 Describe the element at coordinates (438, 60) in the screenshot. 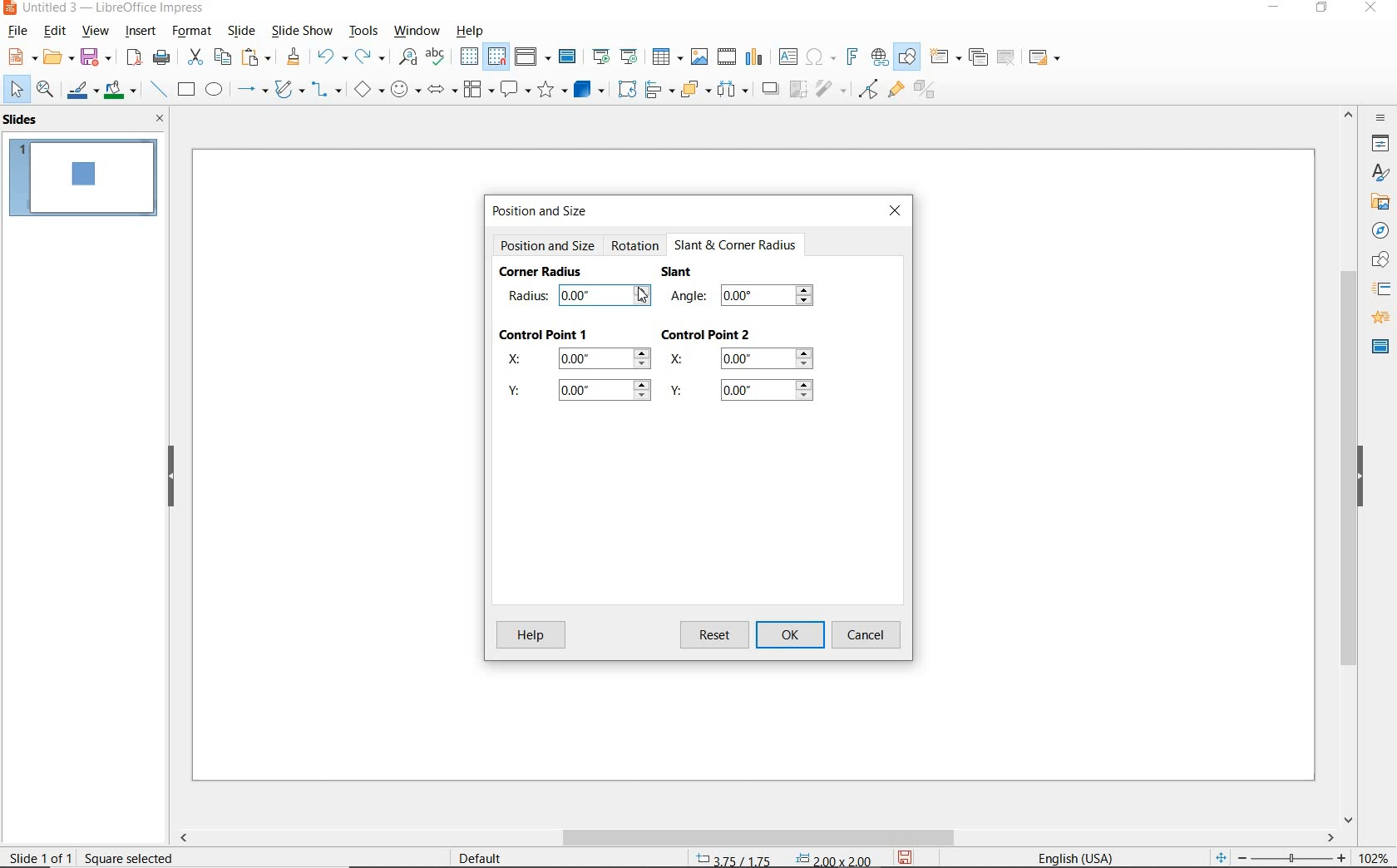

I see `spelling` at that location.